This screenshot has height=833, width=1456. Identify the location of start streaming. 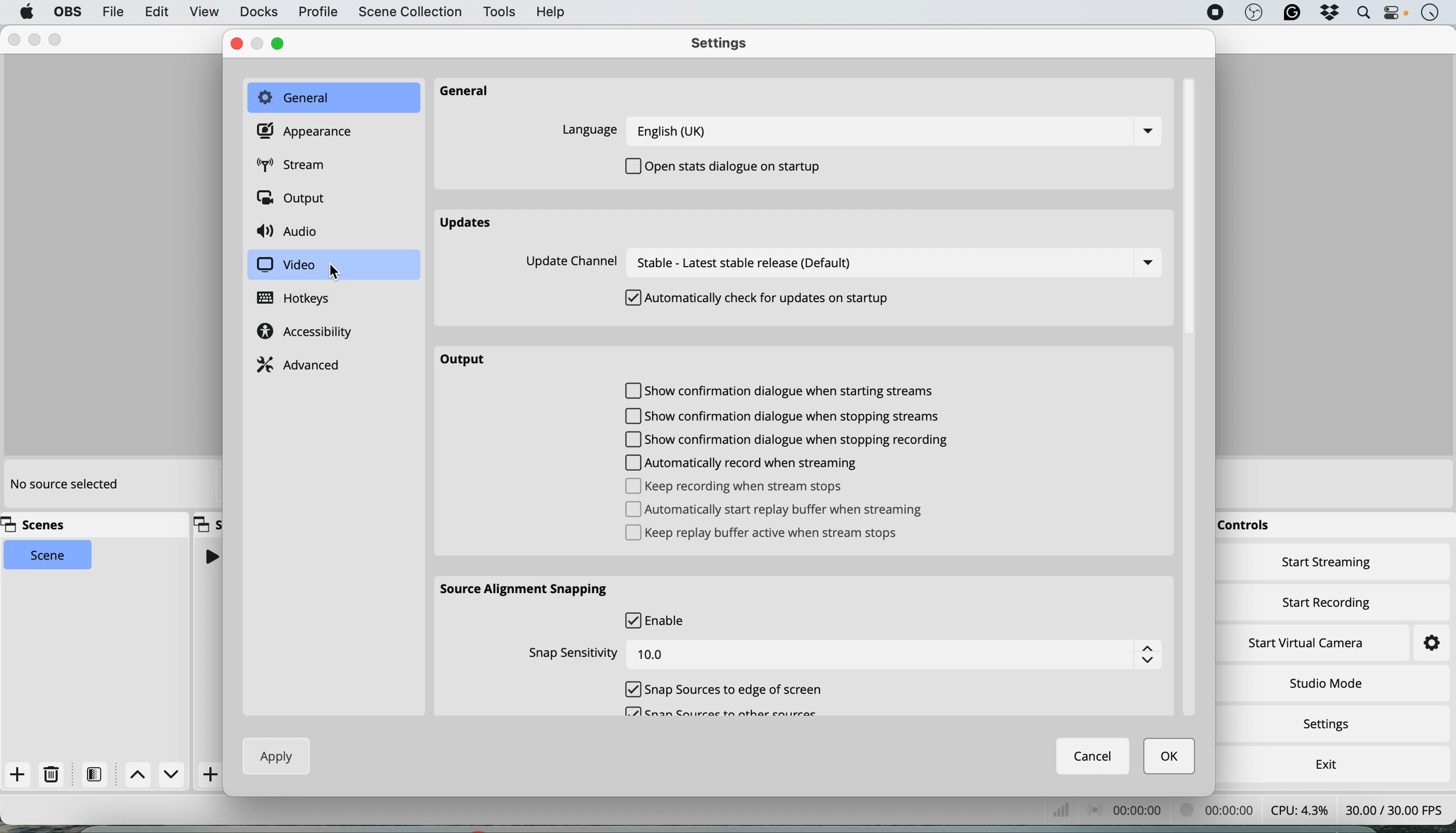
(1327, 565).